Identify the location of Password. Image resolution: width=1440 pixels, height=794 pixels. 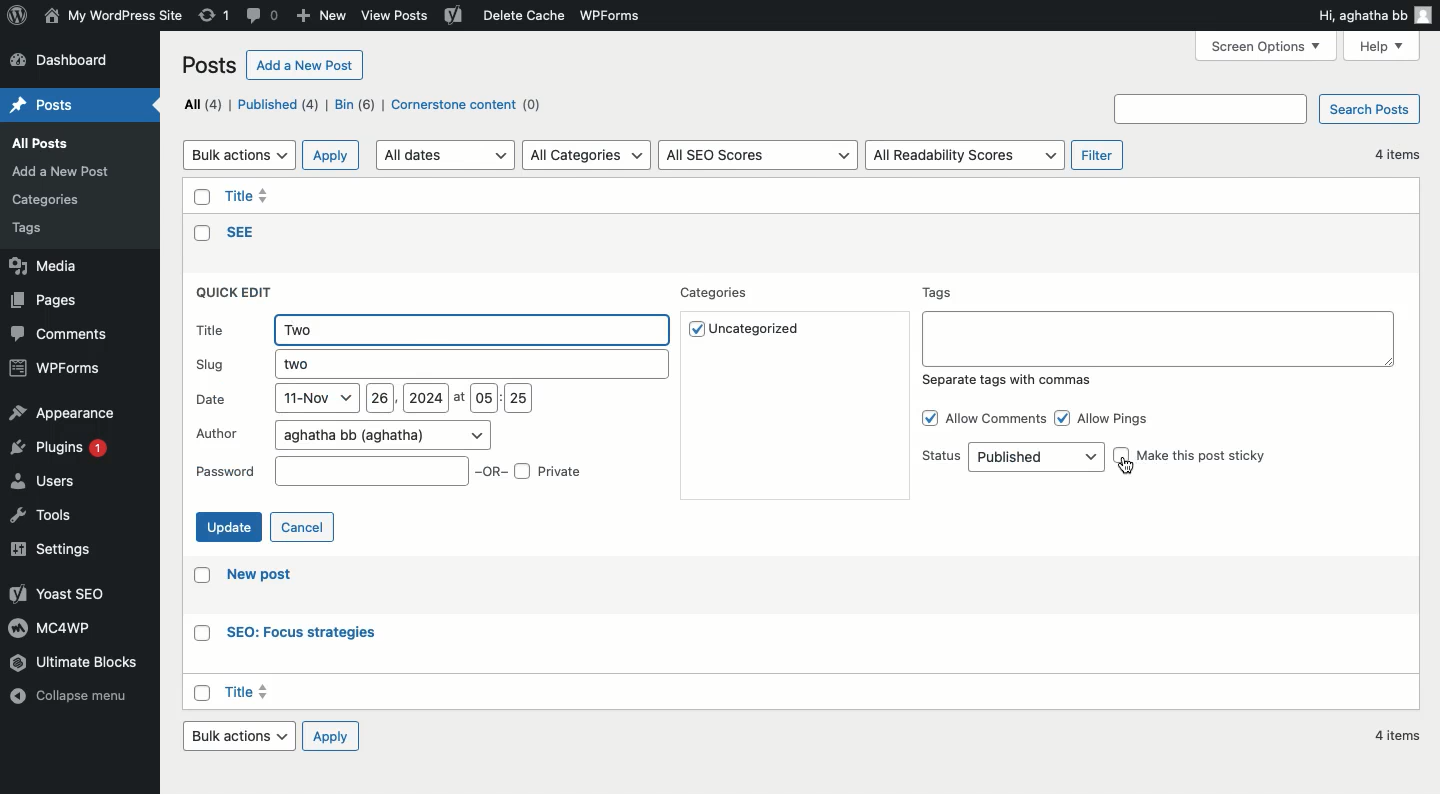
(329, 472).